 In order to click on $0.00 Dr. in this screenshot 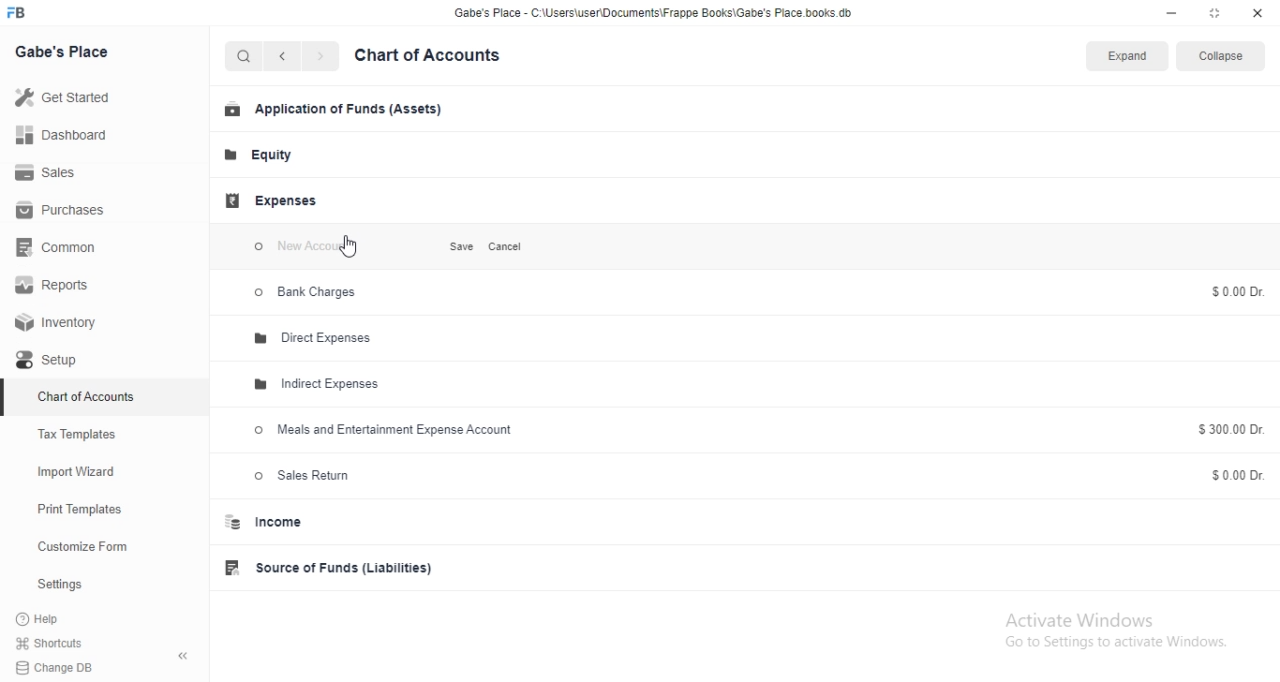, I will do `click(1237, 474)`.